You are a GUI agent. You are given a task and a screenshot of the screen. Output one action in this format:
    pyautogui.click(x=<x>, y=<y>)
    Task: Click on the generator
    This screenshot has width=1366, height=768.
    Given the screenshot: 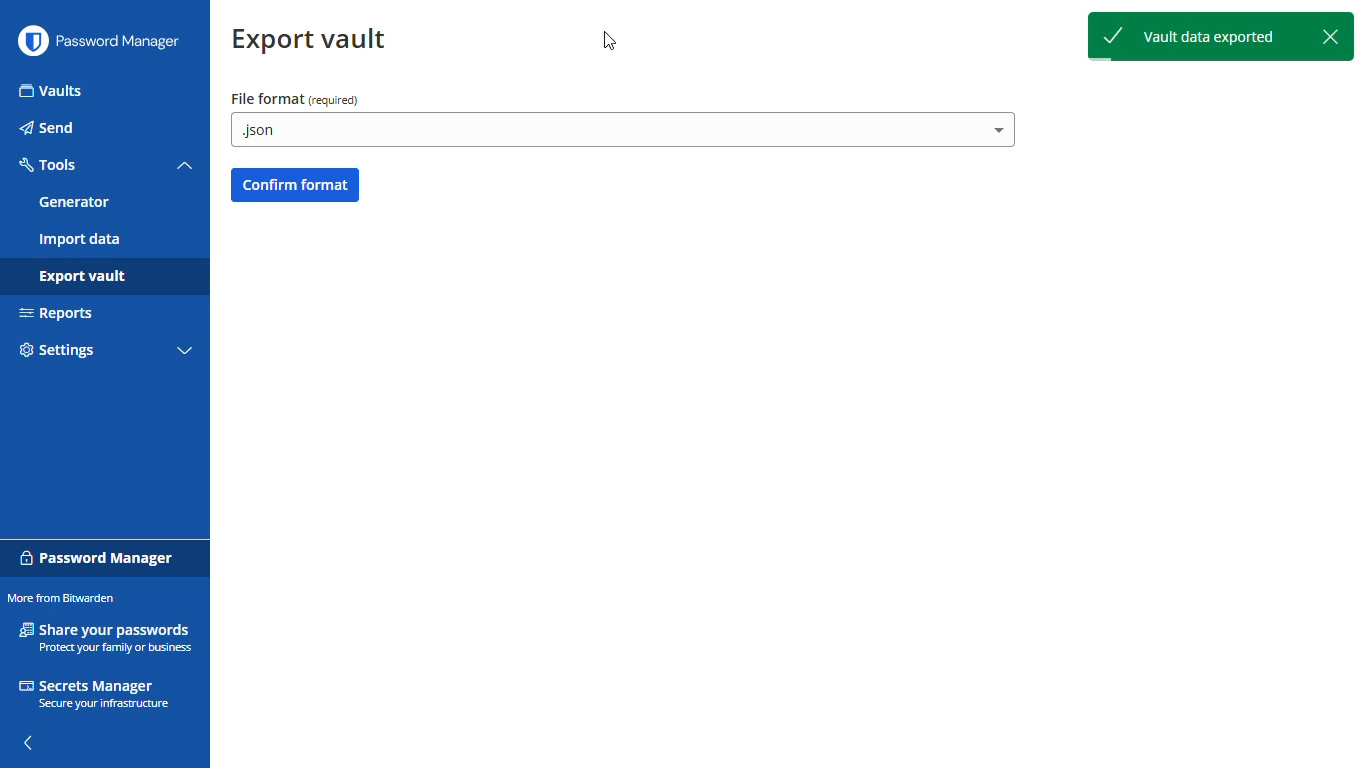 What is the action you would take?
    pyautogui.click(x=74, y=202)
    